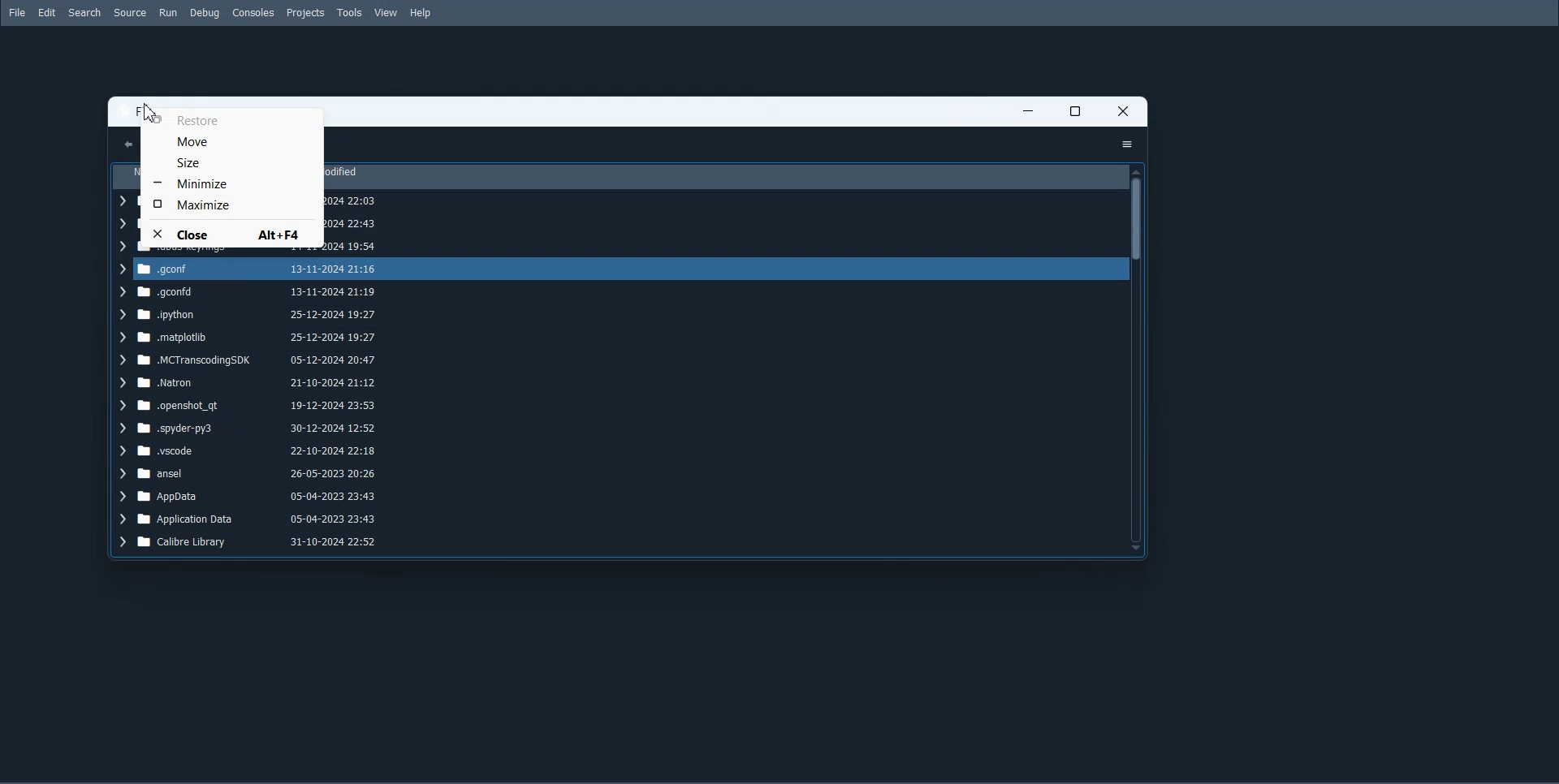 The image size is (1559, 784). Describe the element at coordinates (246, 383) in the screenshot. I see `Natron 21-10-2024 21:12` at that location.